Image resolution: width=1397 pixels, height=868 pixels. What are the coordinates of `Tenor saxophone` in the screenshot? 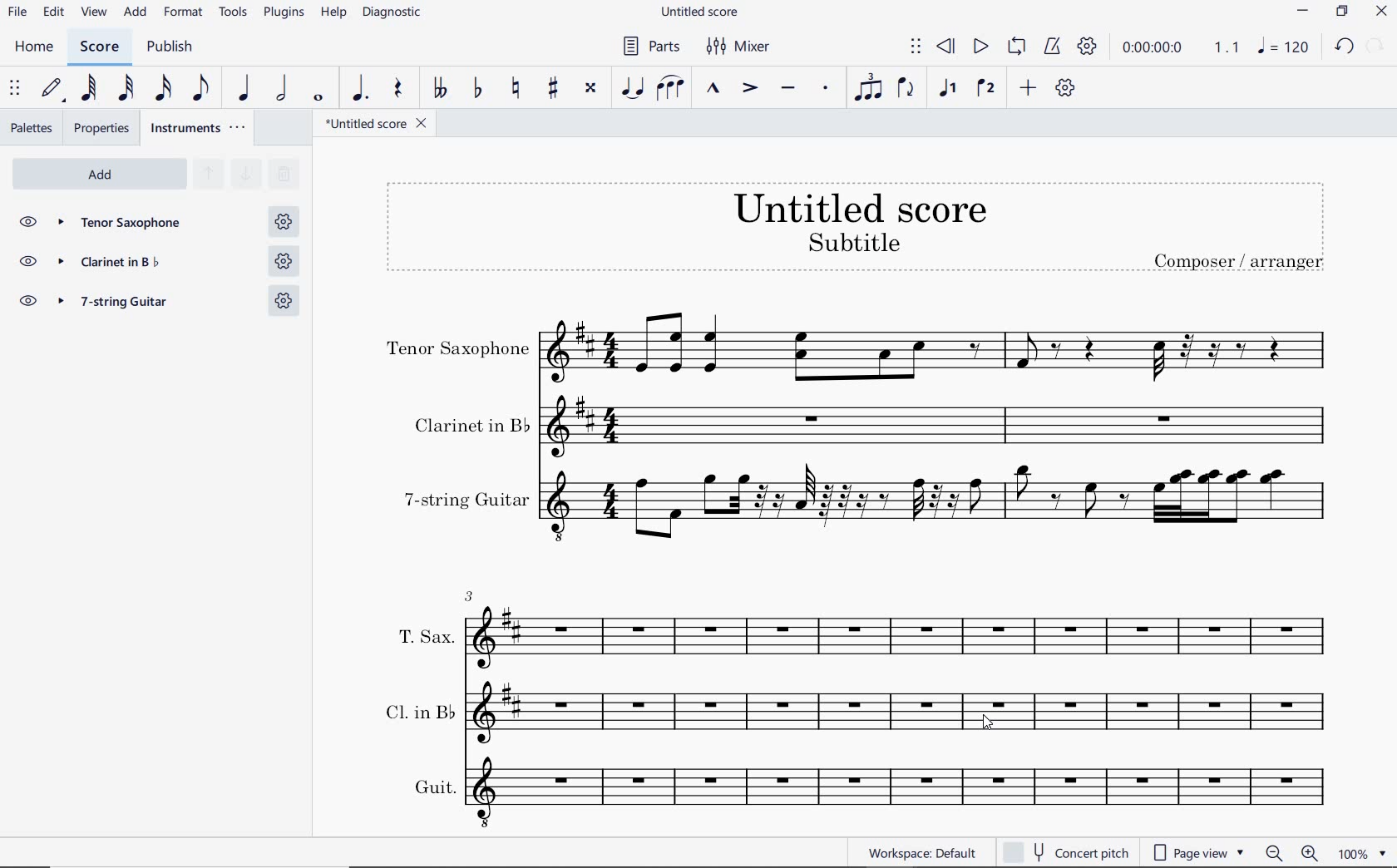 It's located at (130, 224).